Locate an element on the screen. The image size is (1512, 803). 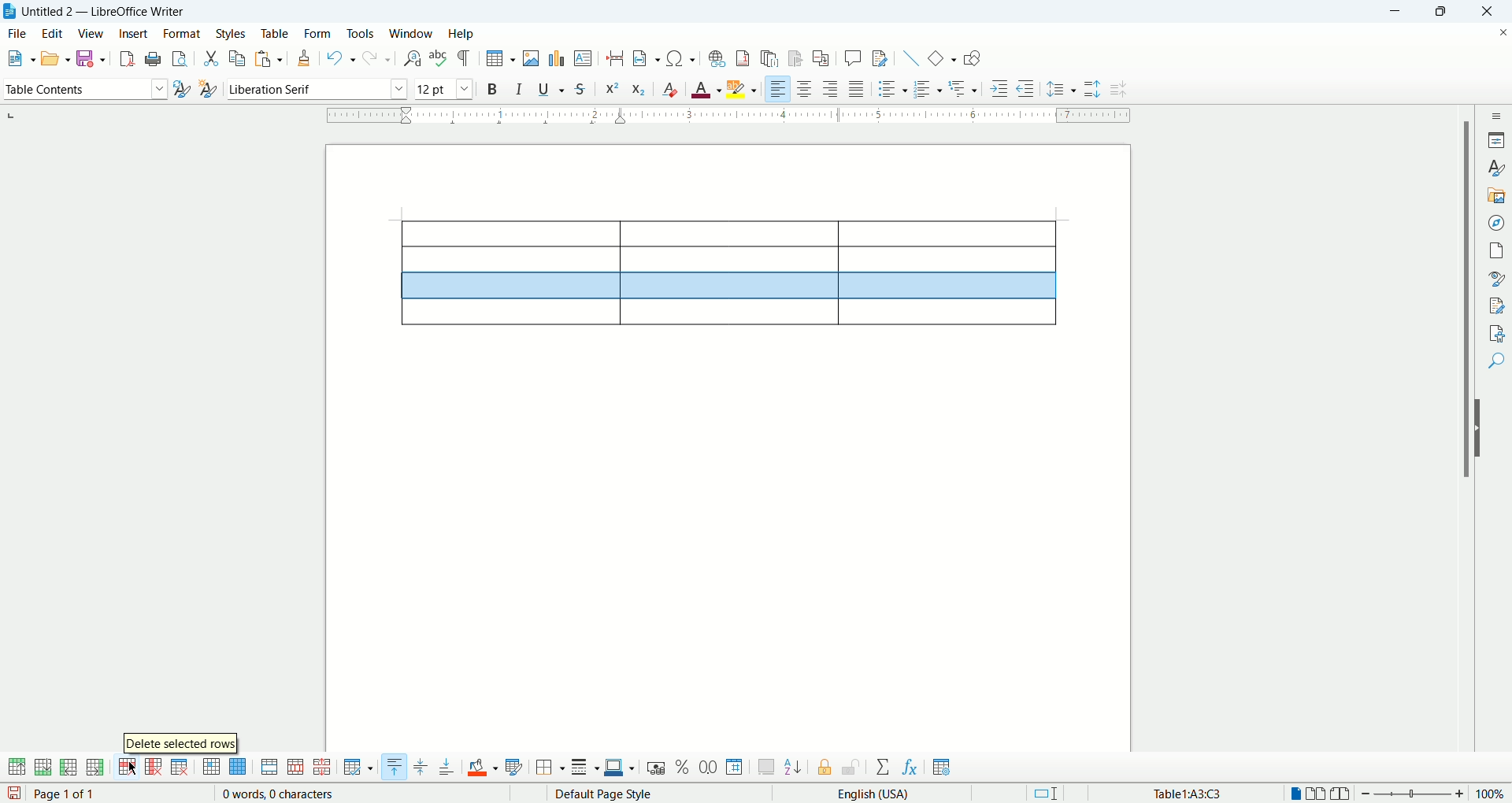
style police is located at coordinates (1494, 279).